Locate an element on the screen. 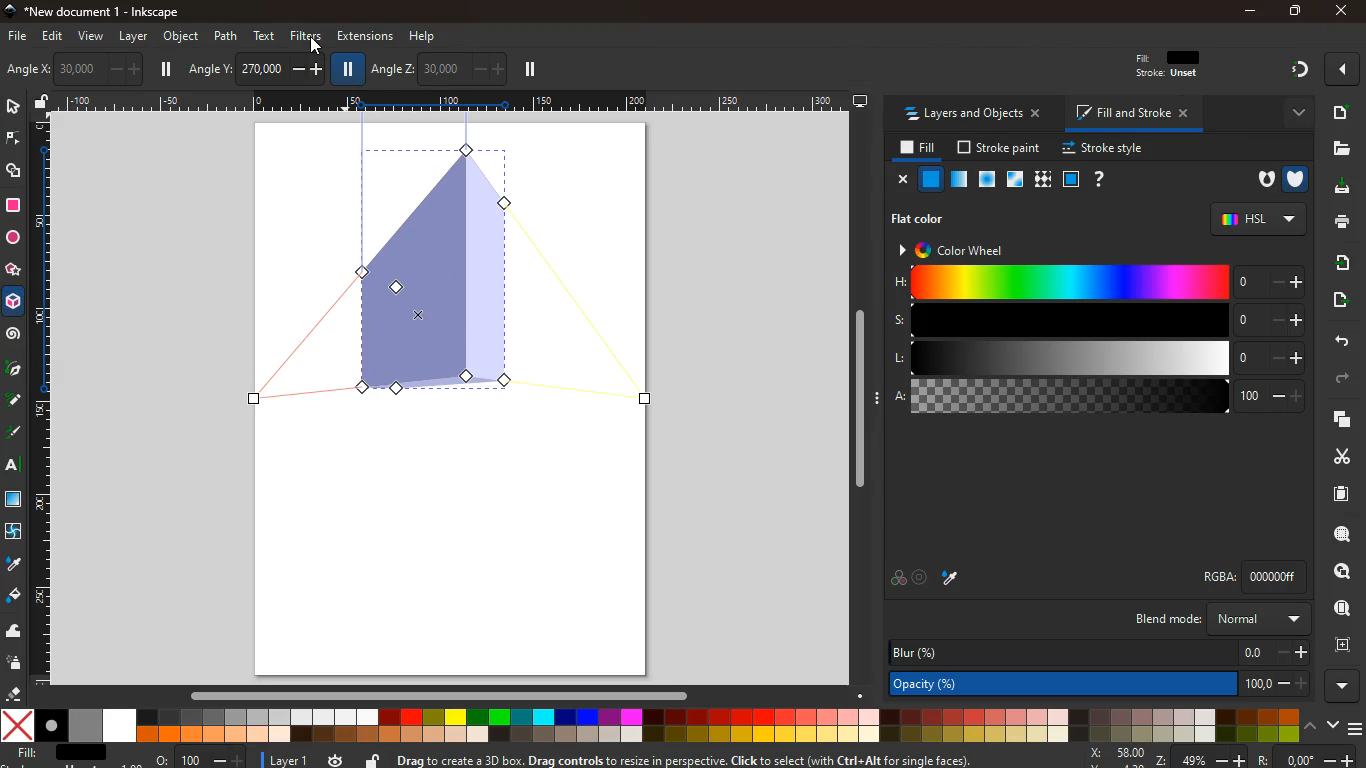 The height and width of the screenshot is (768, 1366). pause is located at coordinates (529, 70).